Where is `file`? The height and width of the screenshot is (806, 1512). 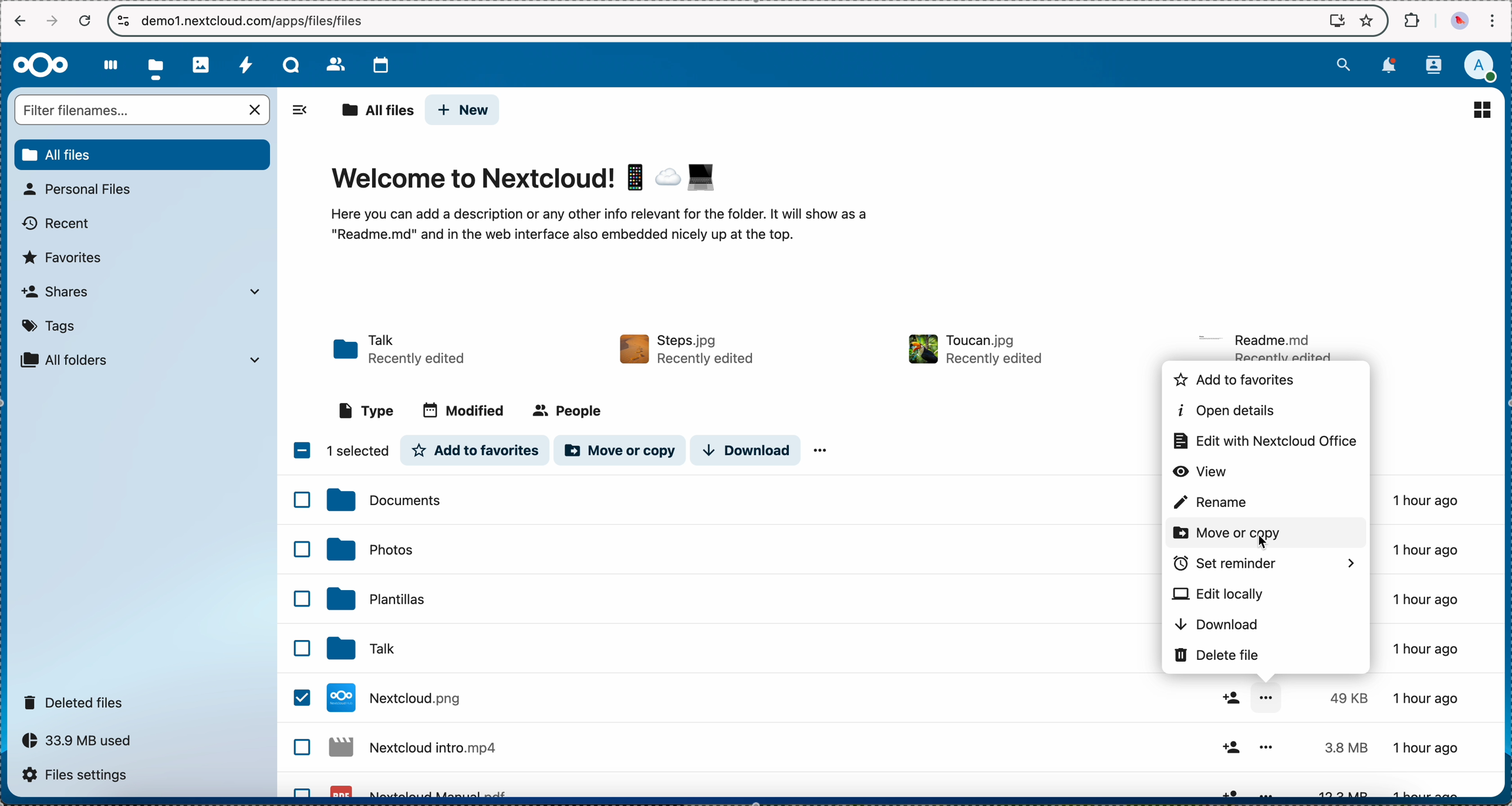
file is located at coordinates (1267, 346).